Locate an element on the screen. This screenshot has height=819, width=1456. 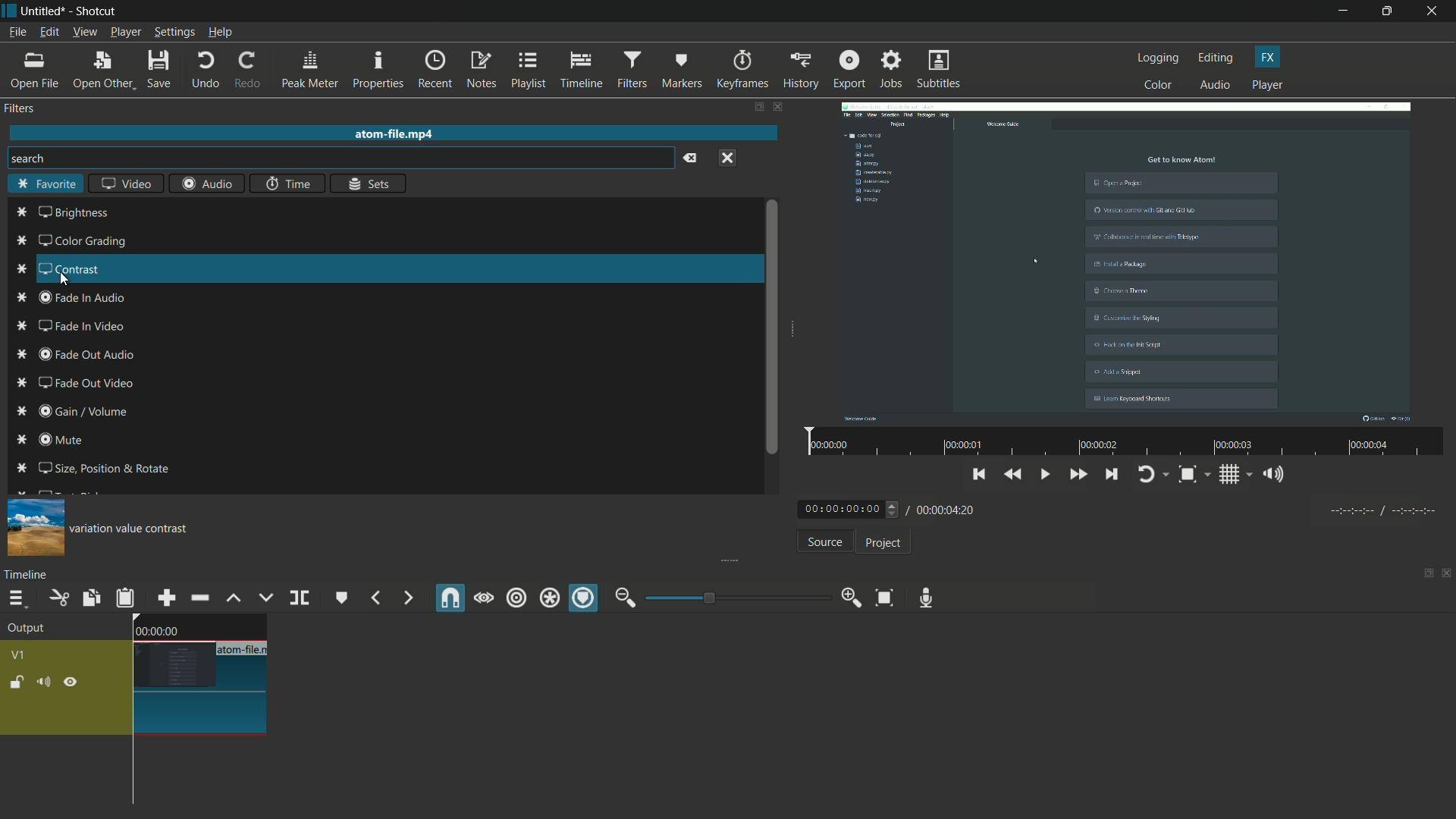
video is located at coordinates (125, 185).